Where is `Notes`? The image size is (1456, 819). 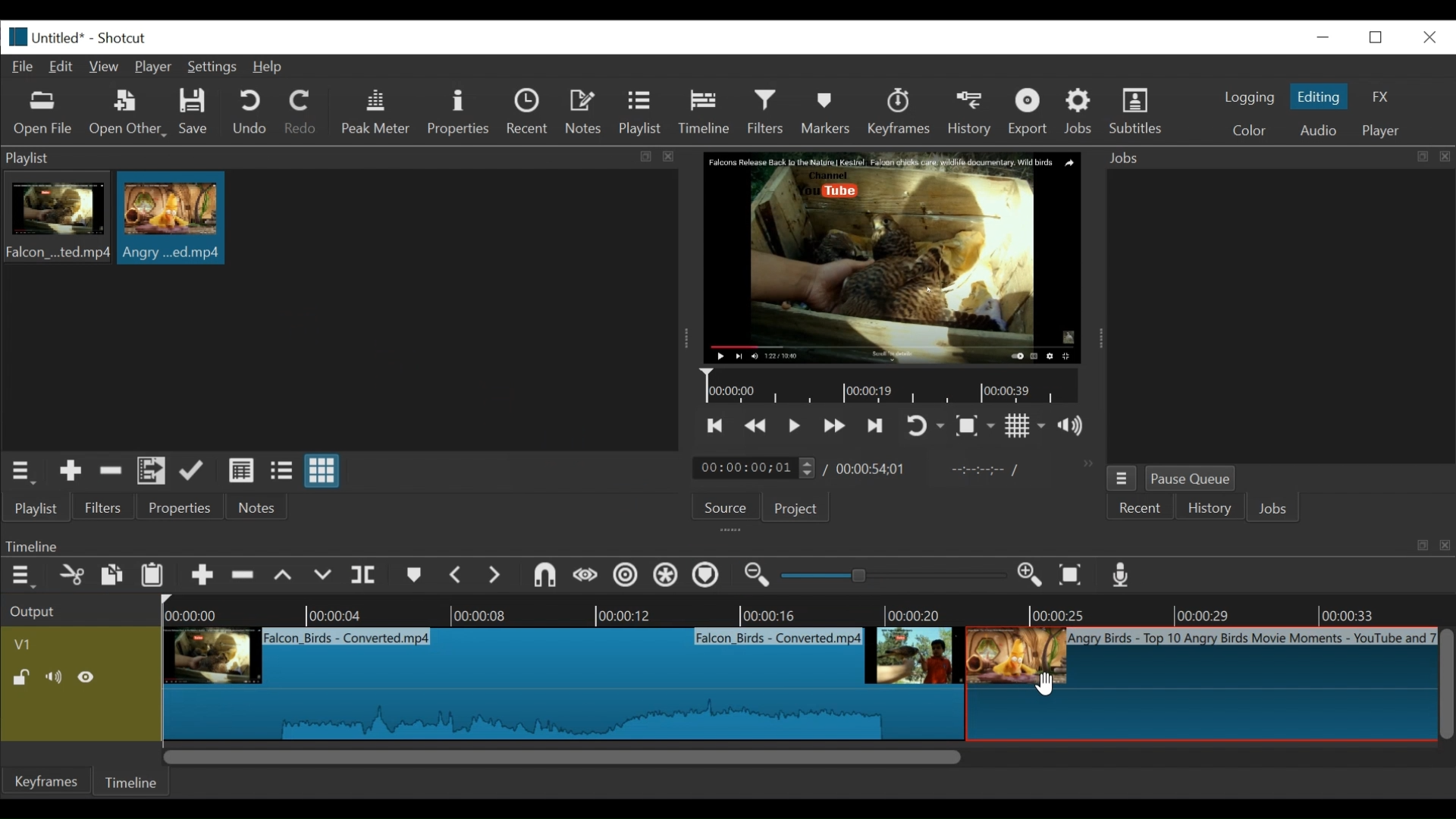
Notes is located at coordinates (257, 507).